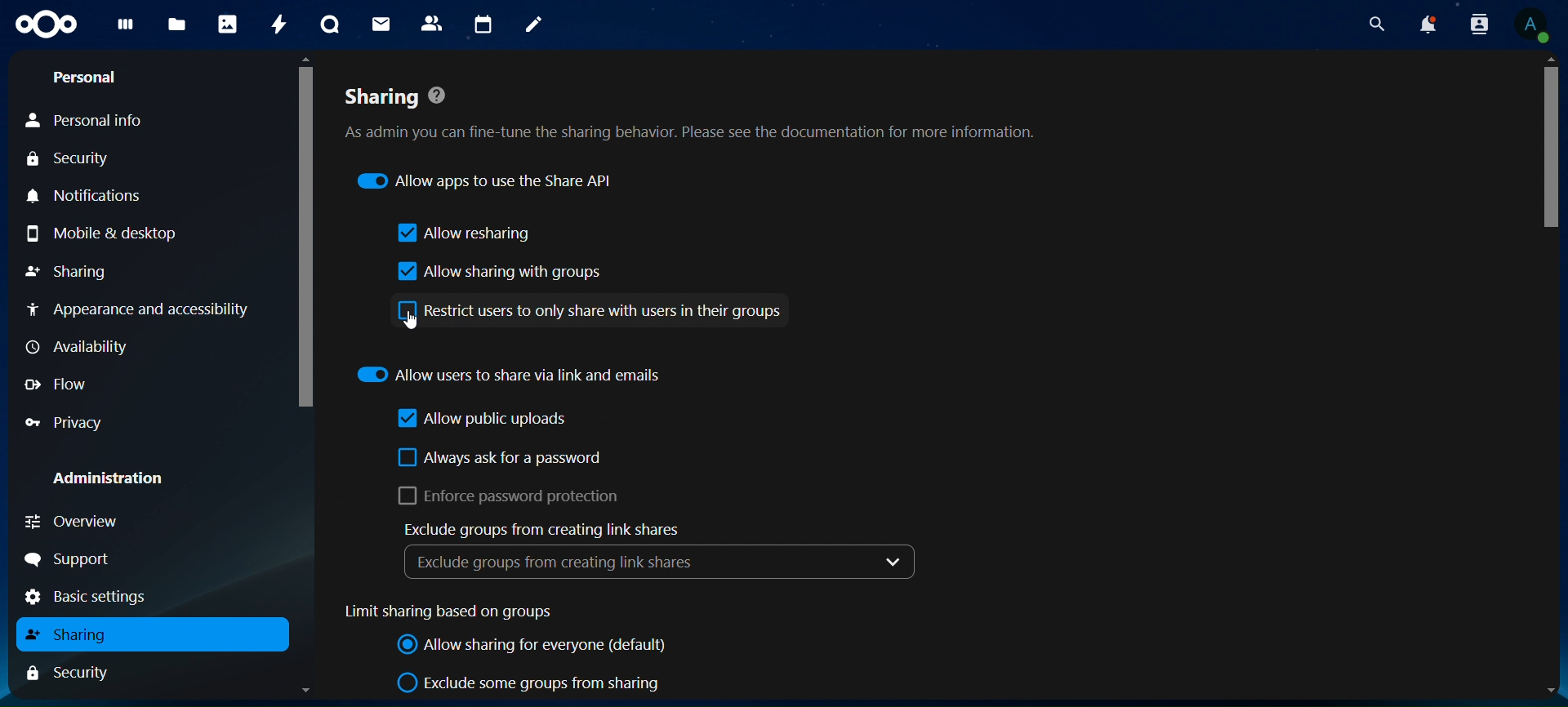 The image size is (1568, 707). What do you see at coordinates (69, 559) in the screenshot?
I see `support` at bounding box center [69, 559].